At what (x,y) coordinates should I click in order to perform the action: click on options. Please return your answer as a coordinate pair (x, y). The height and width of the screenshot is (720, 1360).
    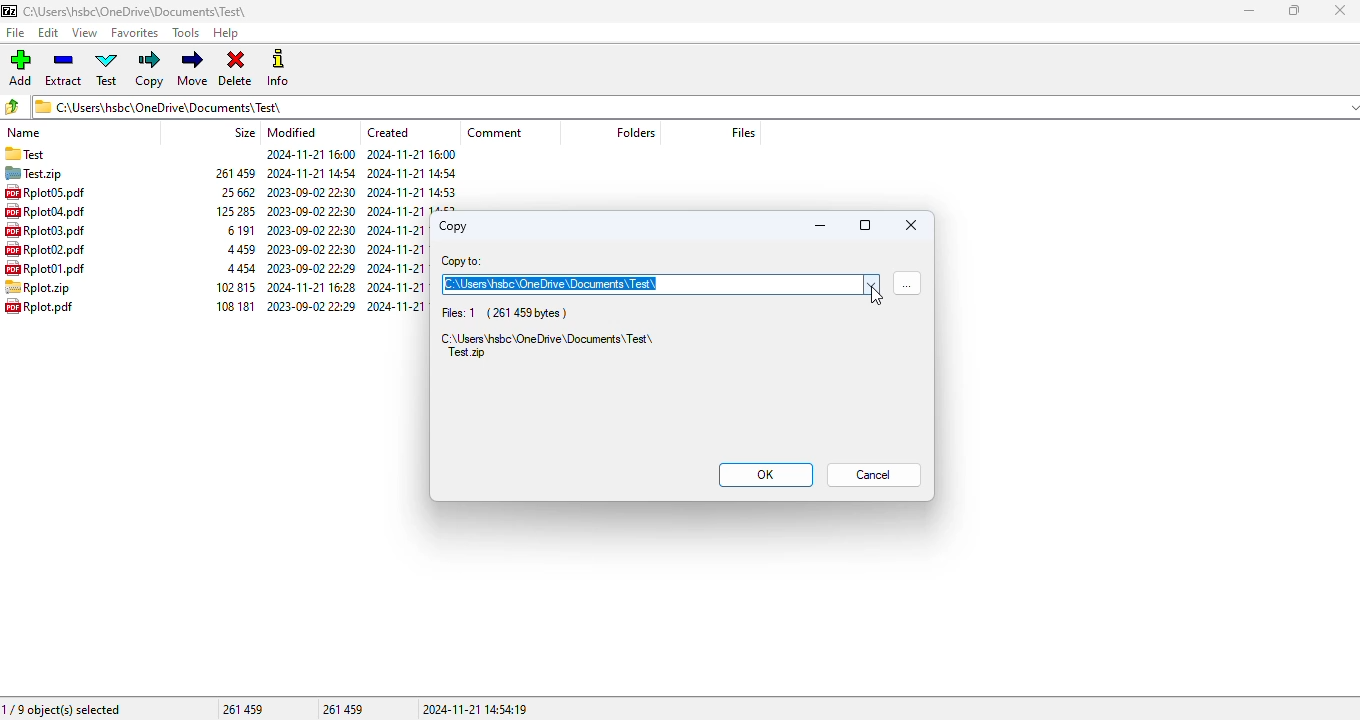
    Looking at the image, I should click on (870, 284).